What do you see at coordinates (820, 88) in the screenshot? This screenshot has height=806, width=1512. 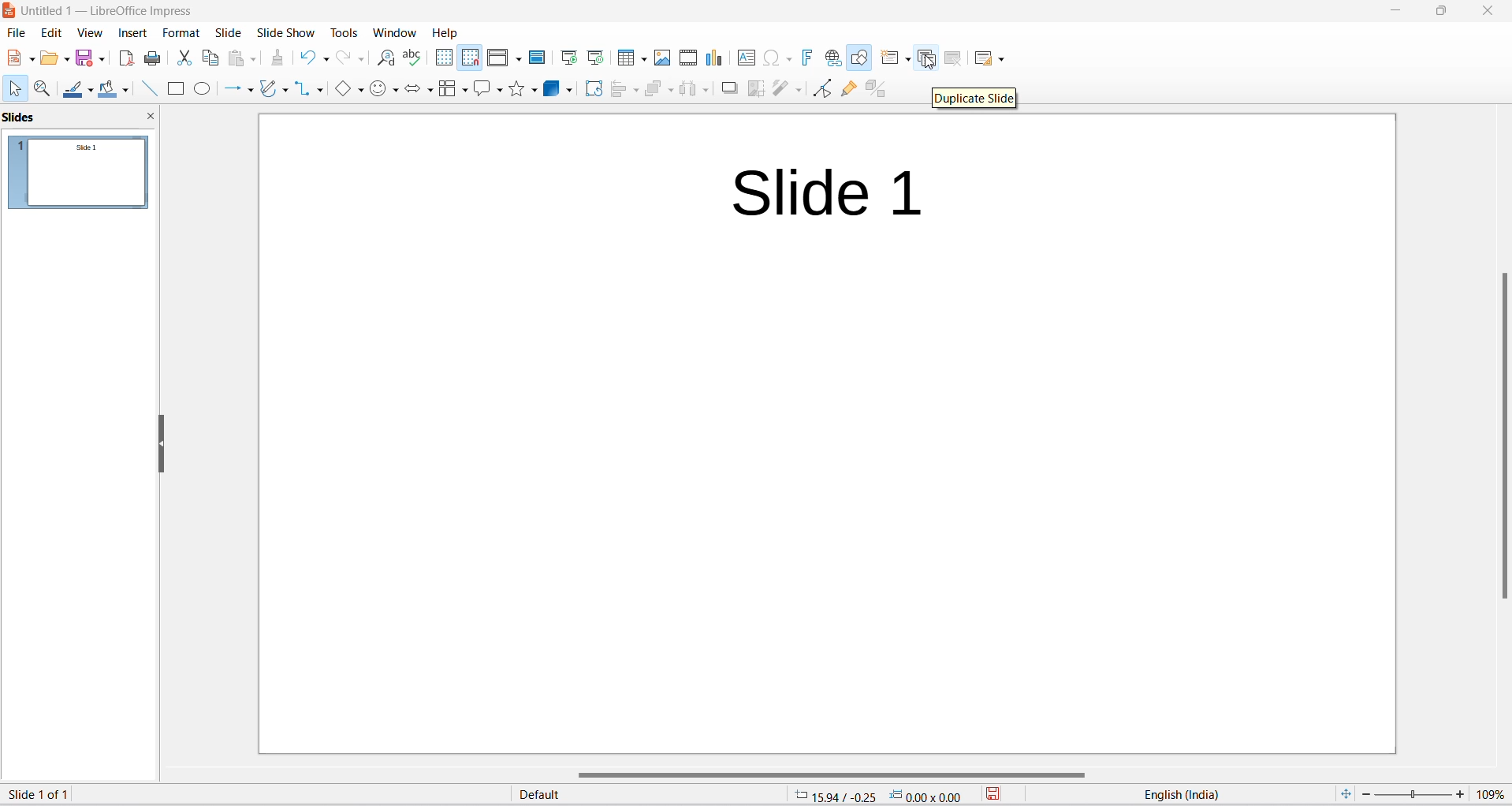 I see `toggle point end mode` at bounding box center [820, 88].